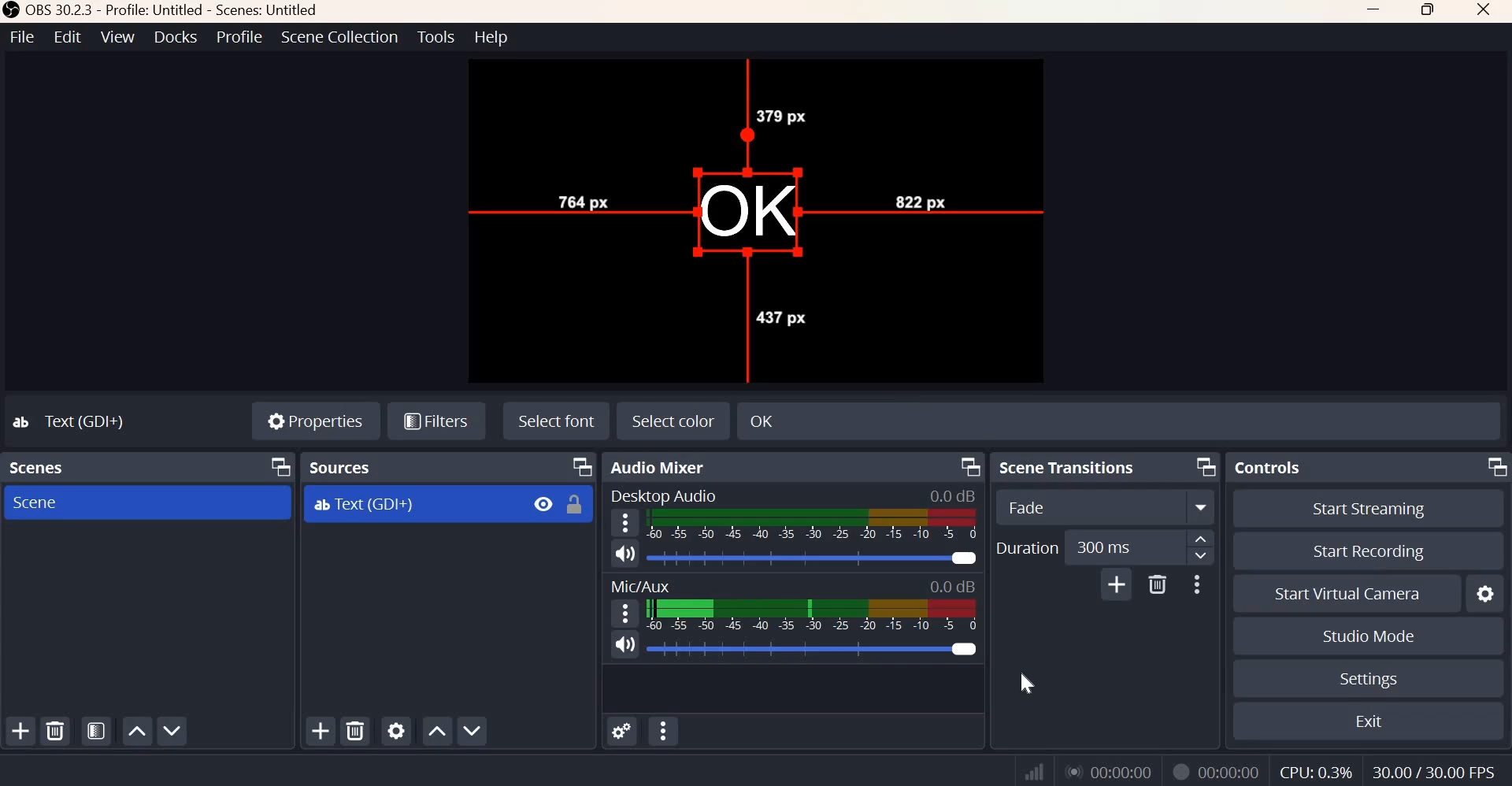 The image size is (1512, 786). I want to click on Connection Status Indicator, so click(1035, 769).